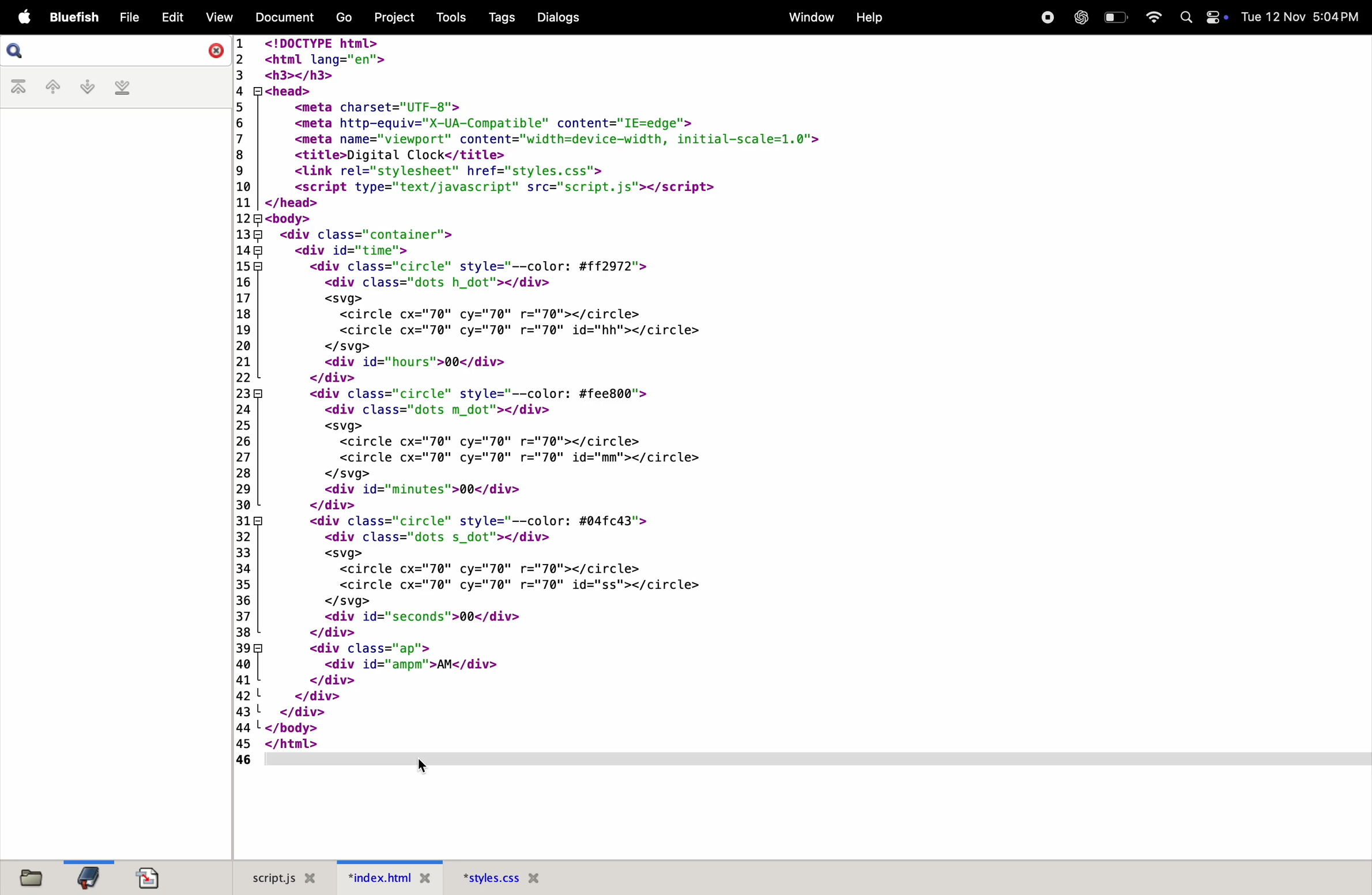 The width and height of the screenshot is (1372, 895). Describe the element at coordinates (1302, 17) in the screenshot. I see `tue 12 nov 5.04 Pm` at that location.